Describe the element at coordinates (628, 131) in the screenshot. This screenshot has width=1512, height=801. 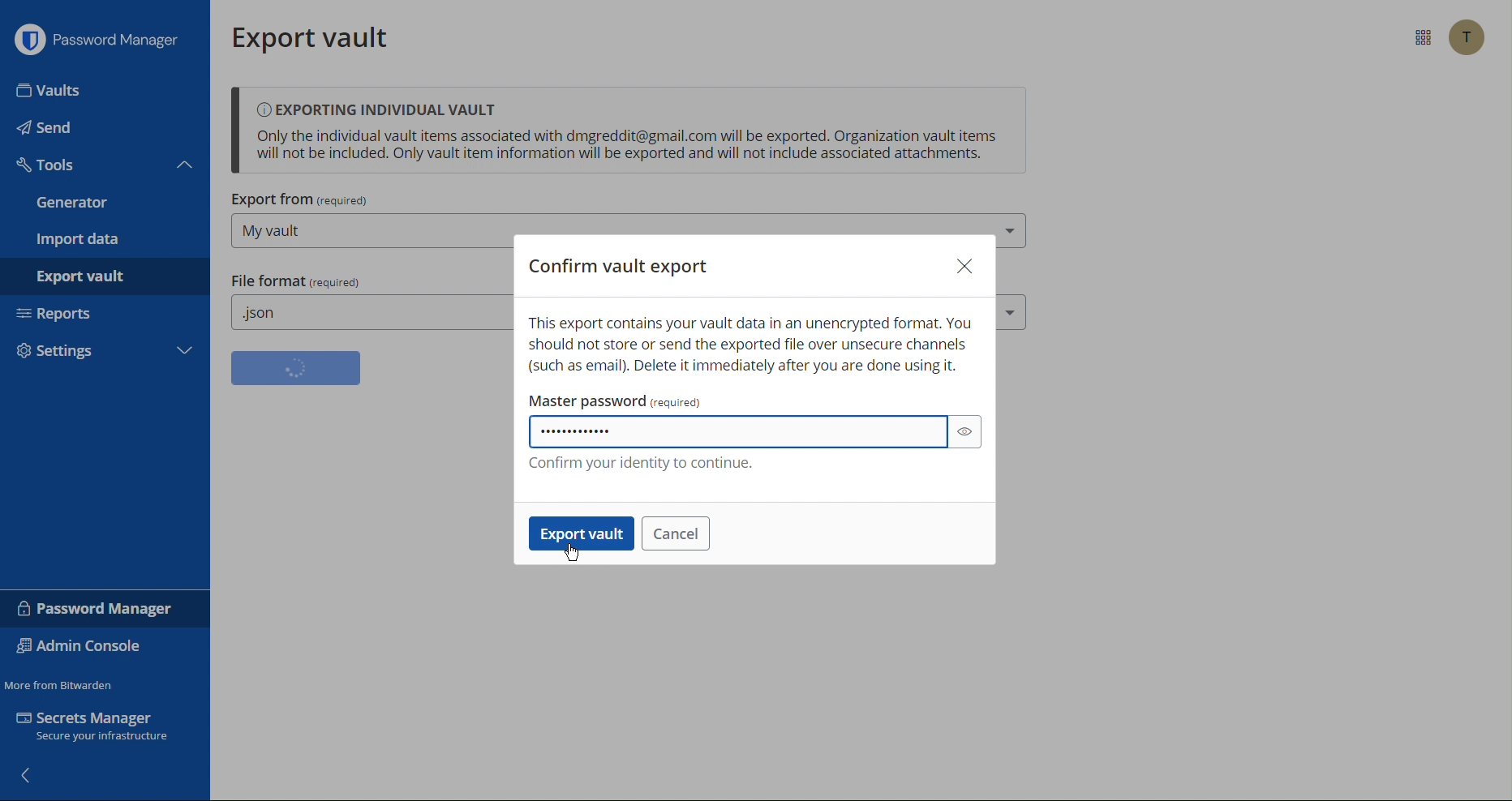
I see `Exporting Individual Vault` at that location.